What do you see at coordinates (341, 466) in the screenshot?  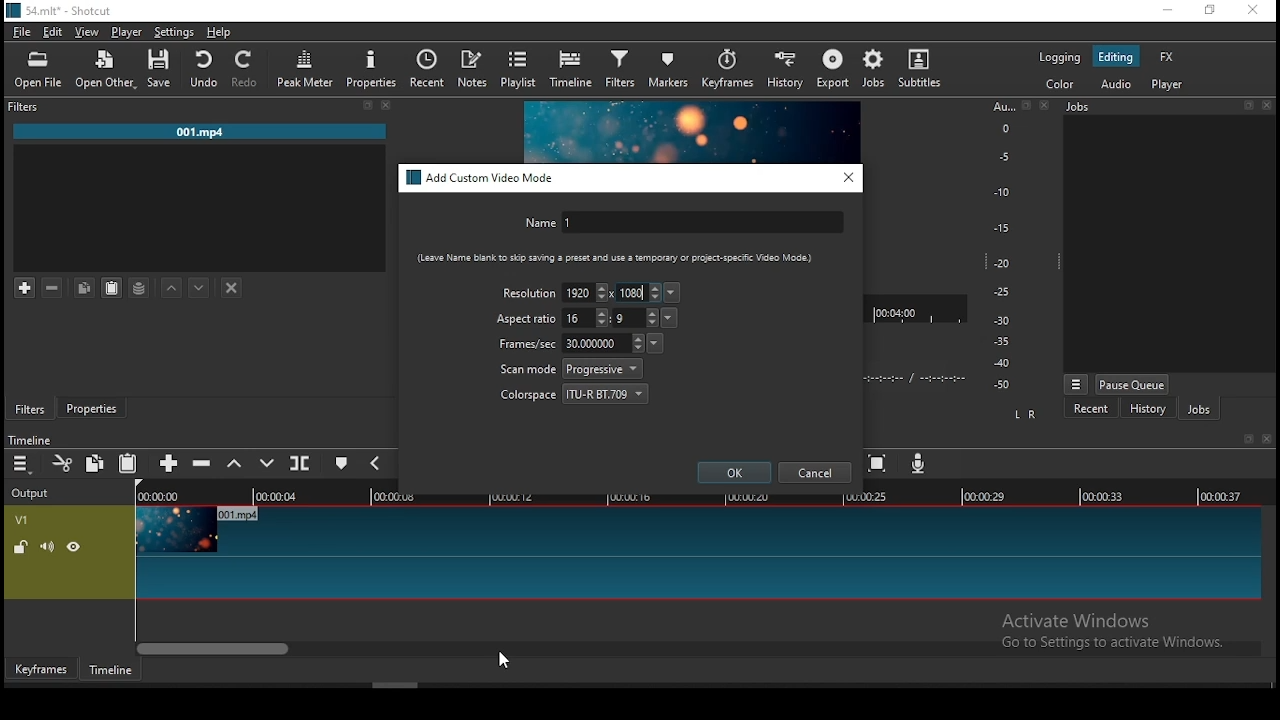 I see `create/edit marker` at bounding box center [341, 466].